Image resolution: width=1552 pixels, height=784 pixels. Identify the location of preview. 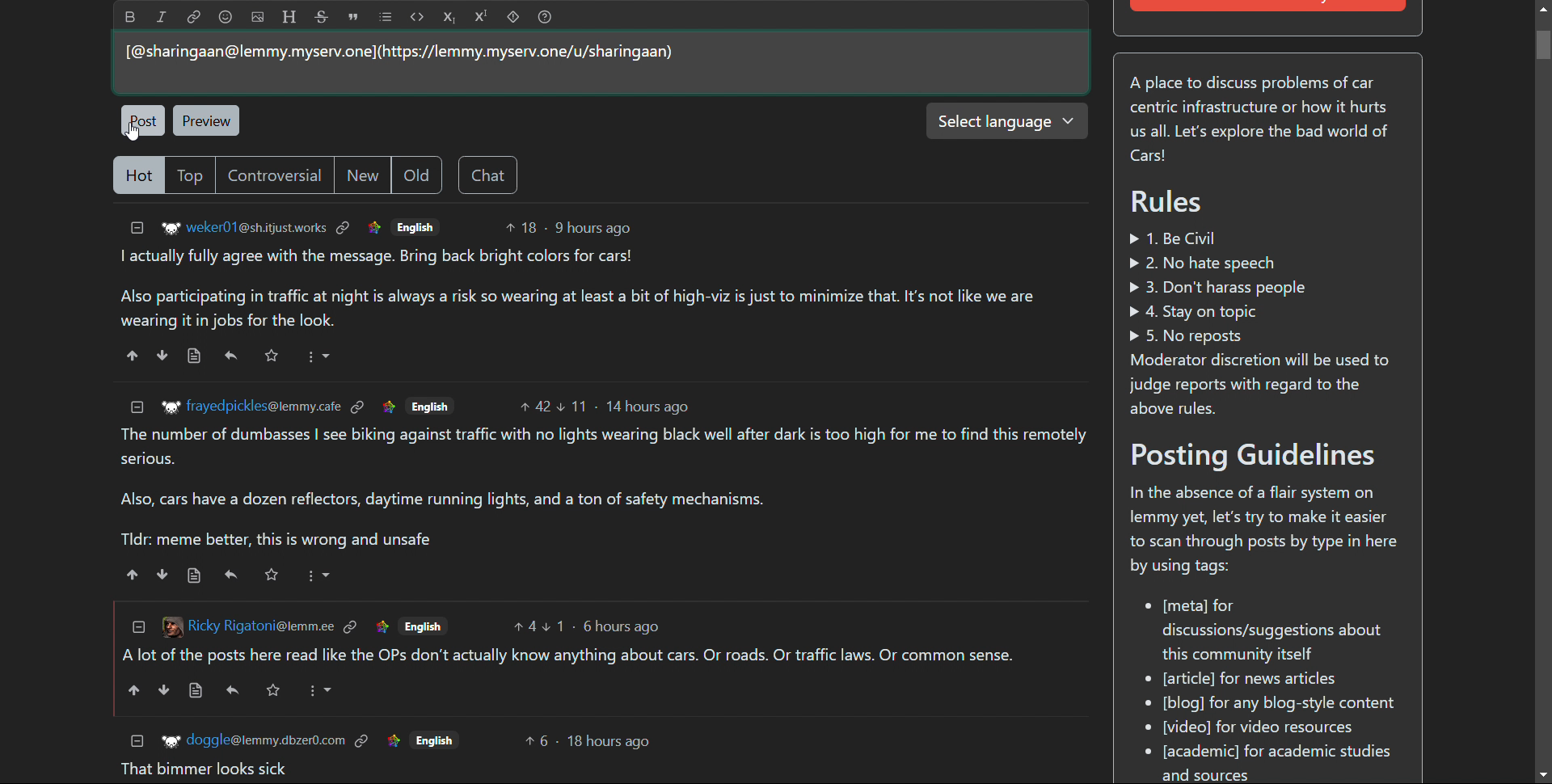
(208, 120).